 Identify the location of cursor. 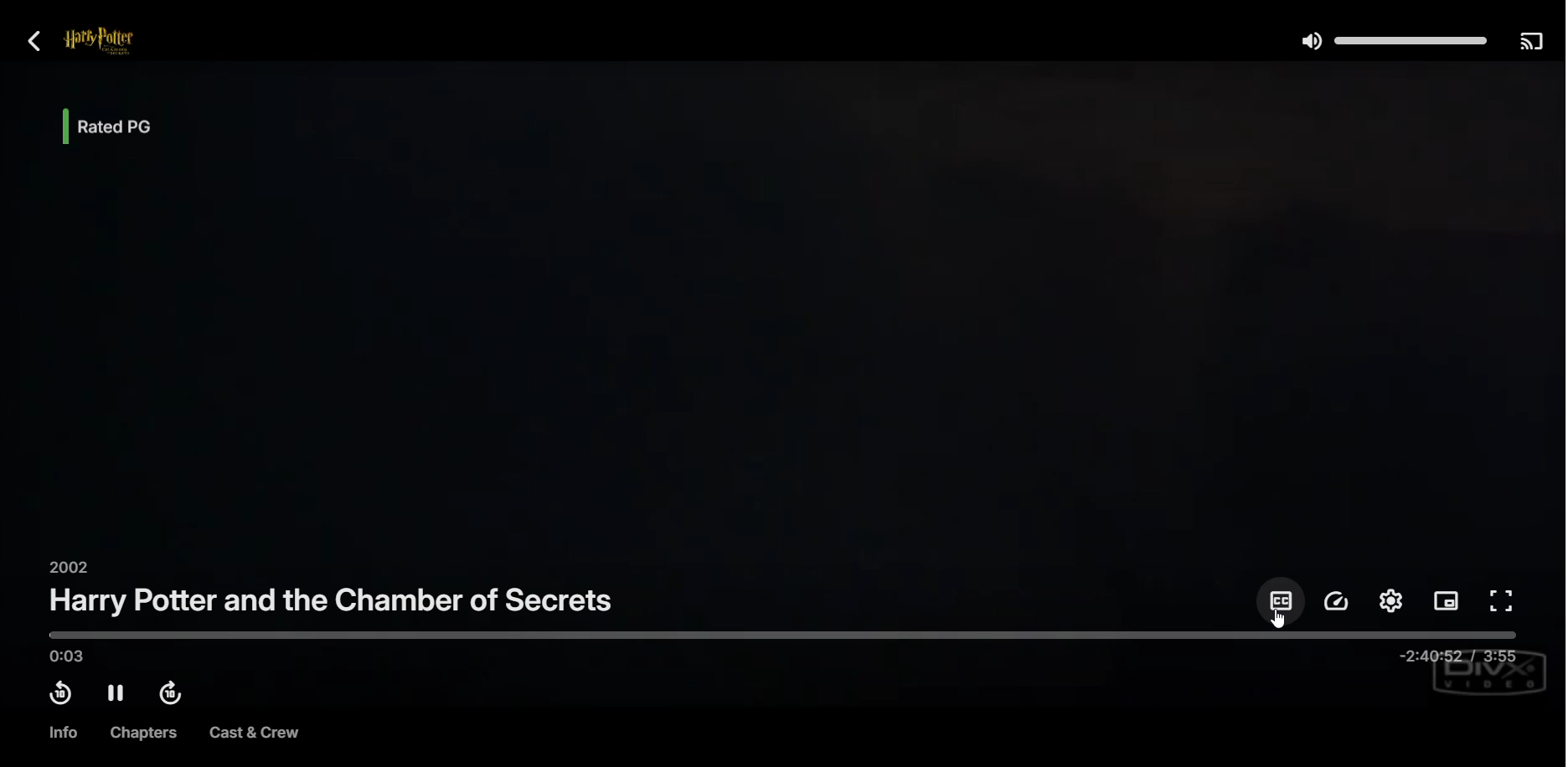
(1276, 620).